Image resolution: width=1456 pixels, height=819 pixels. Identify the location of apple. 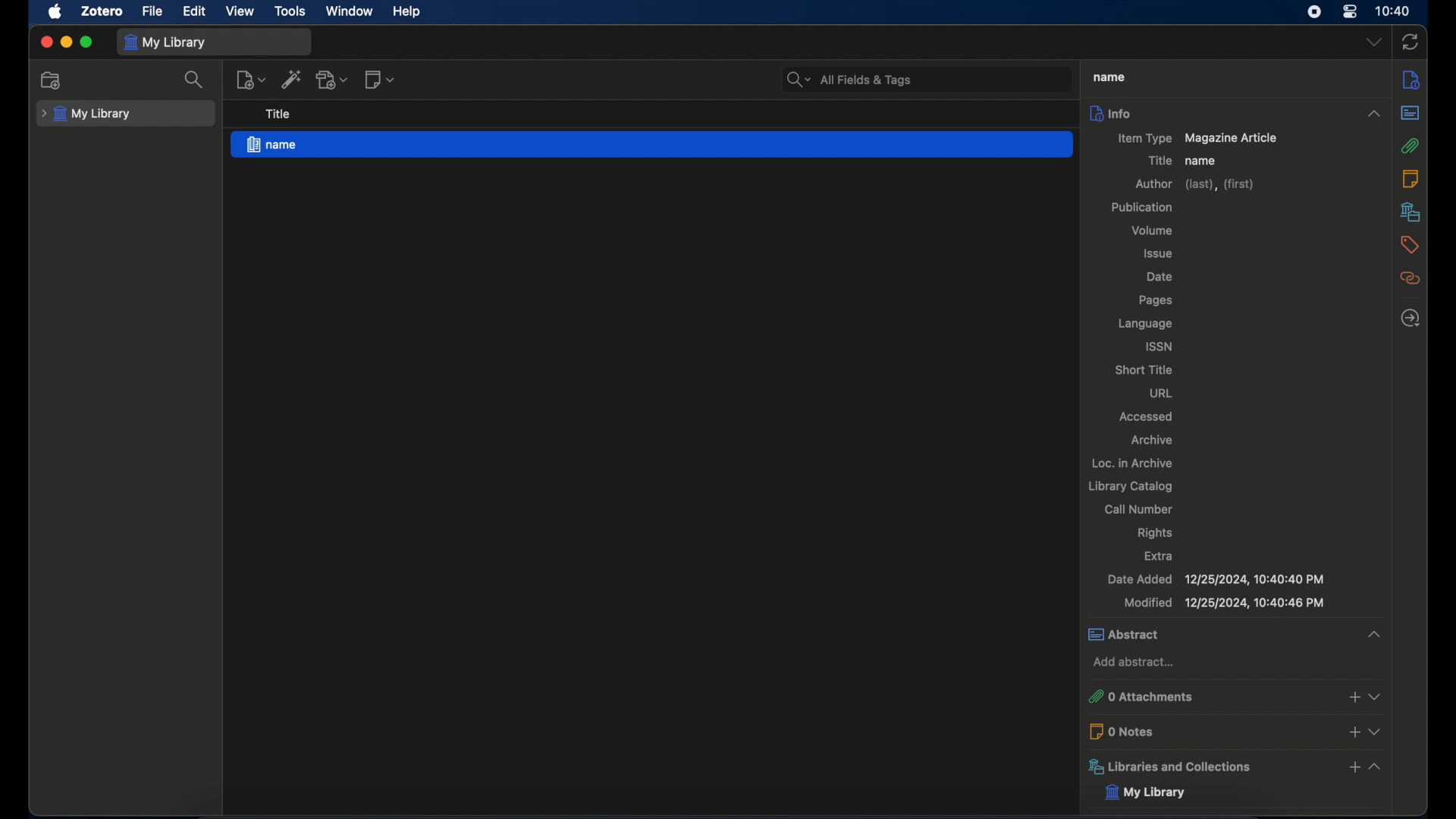
(55, 12).